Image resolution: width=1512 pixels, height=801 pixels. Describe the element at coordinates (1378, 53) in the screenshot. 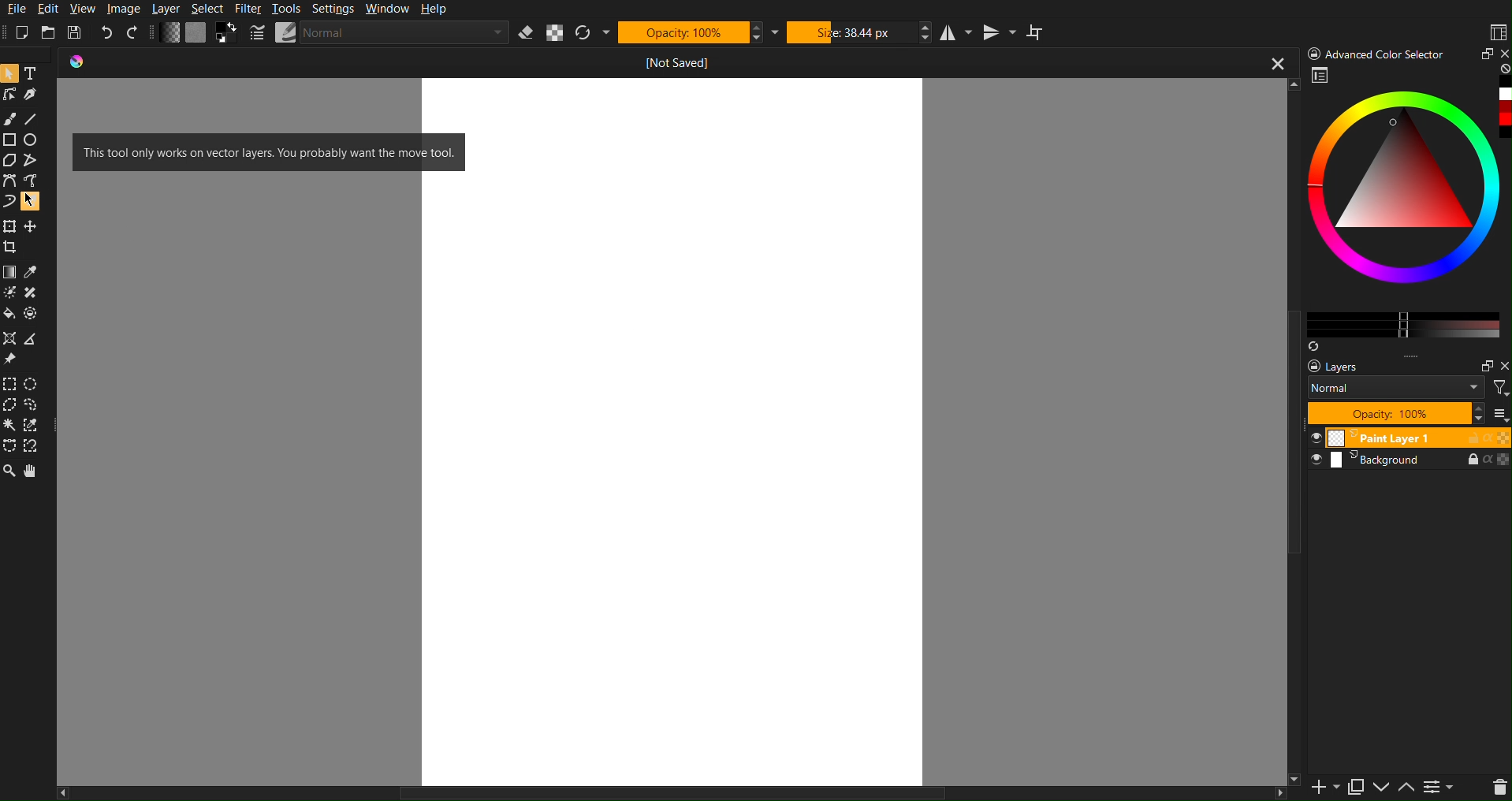

I see `Advanced Color Selector` at that location.